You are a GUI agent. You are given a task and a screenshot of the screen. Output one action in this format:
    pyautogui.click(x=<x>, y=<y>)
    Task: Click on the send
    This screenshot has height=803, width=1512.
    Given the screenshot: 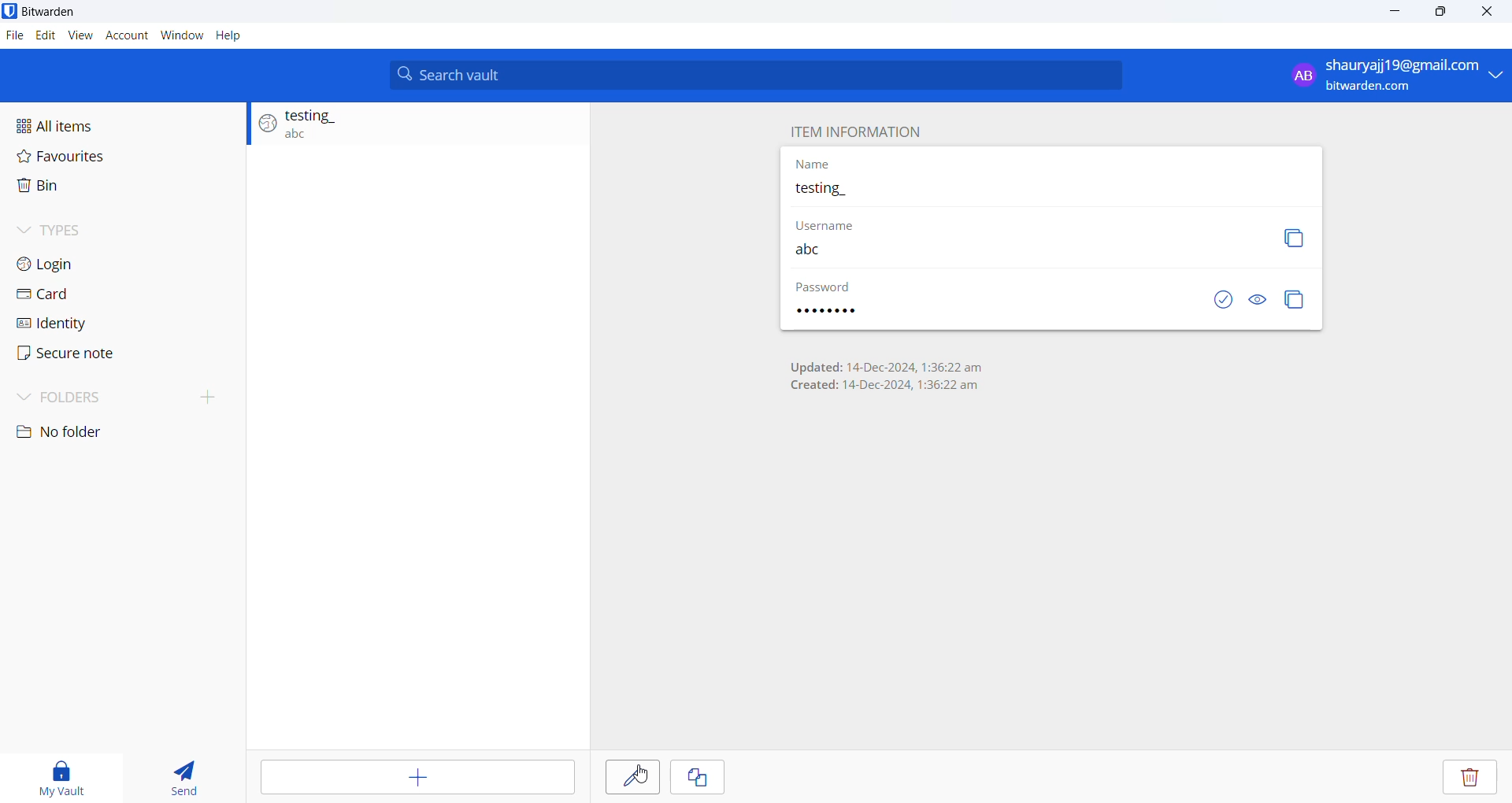 What is the action you would take?
    pyautogui.click(x=186, y=774)
    